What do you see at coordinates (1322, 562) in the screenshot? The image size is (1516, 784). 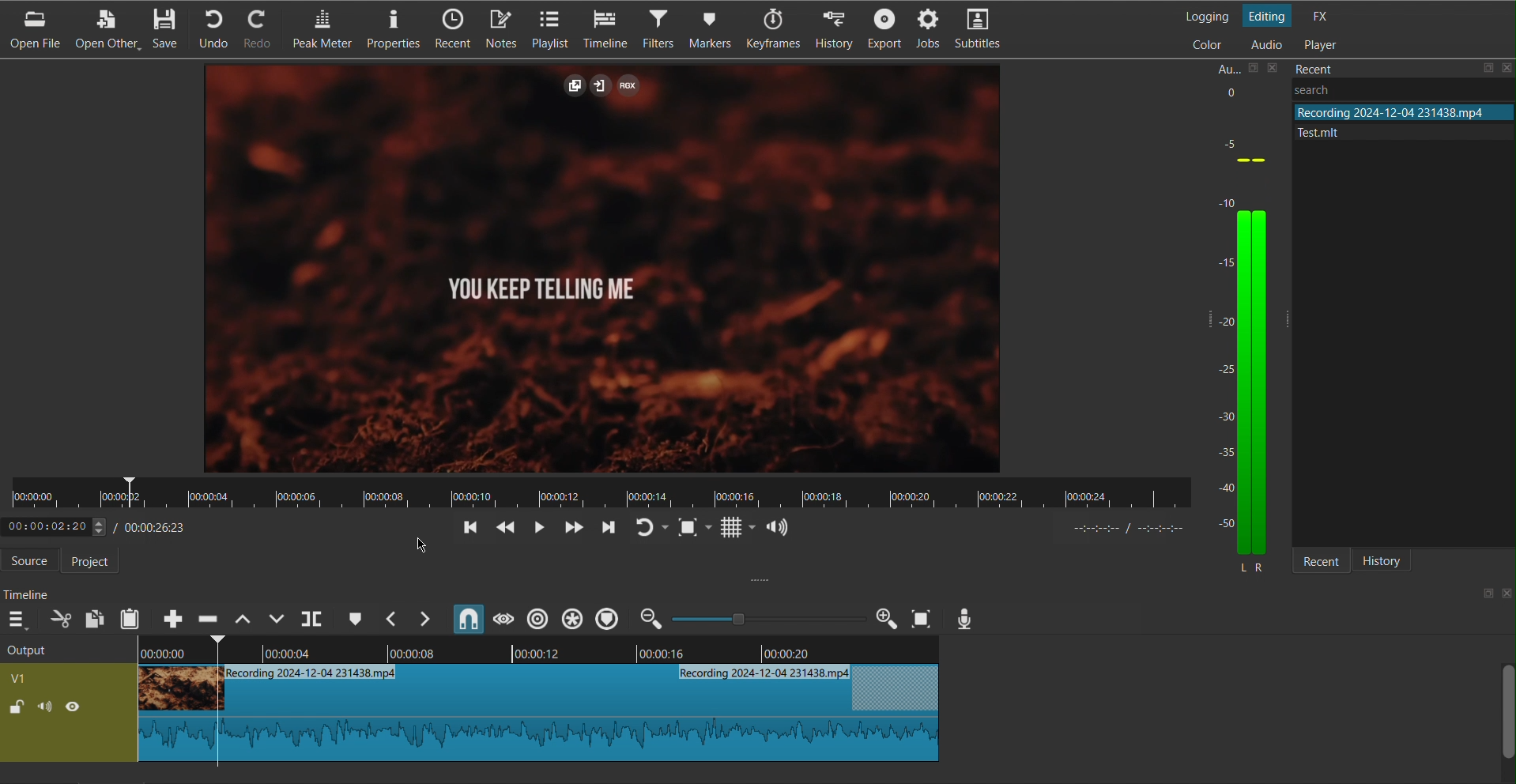 I see `Recent` at bounding box center [1322, 562].